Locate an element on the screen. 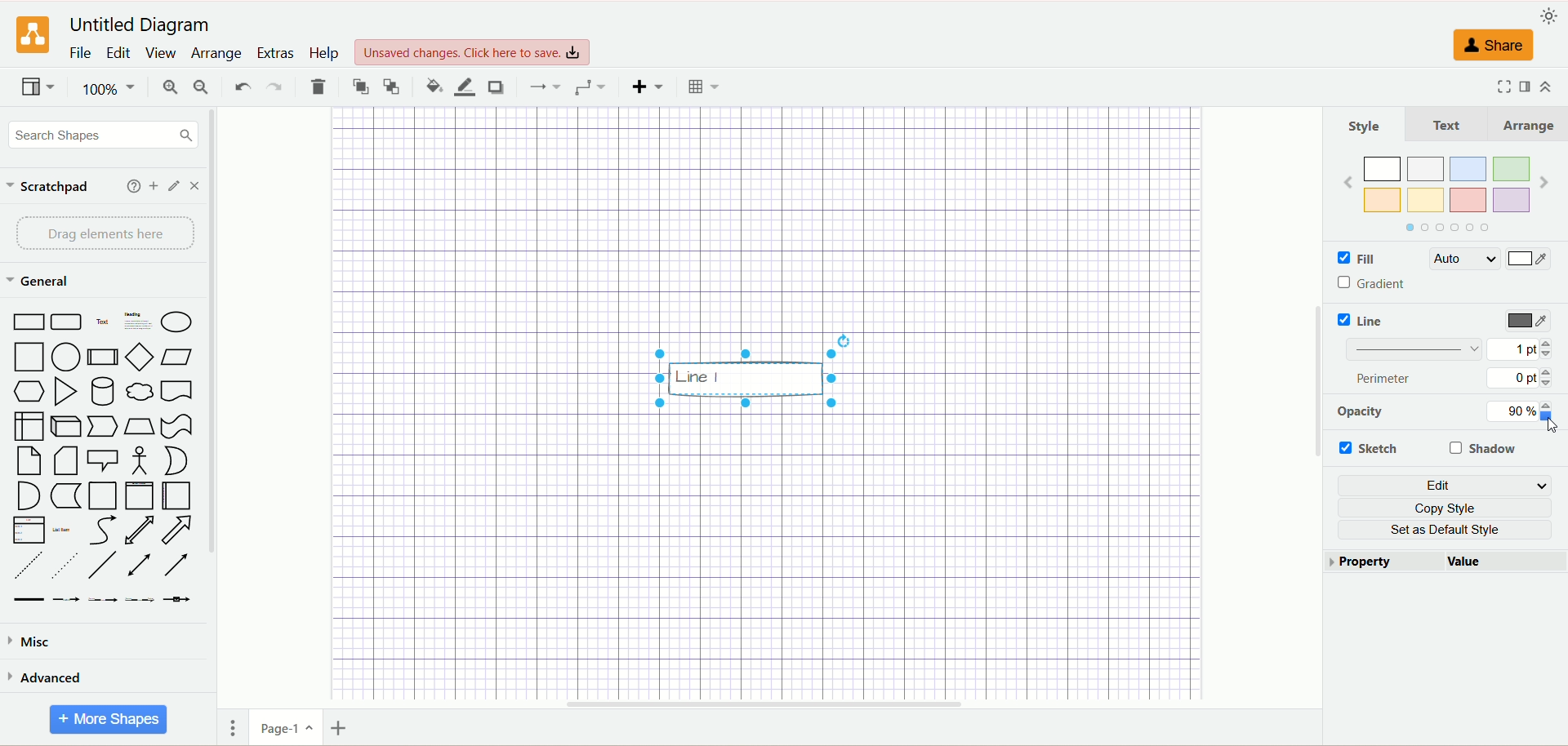 The width and height of the screenshot is (1568, 746). Step is located at coordinates (105, 427).